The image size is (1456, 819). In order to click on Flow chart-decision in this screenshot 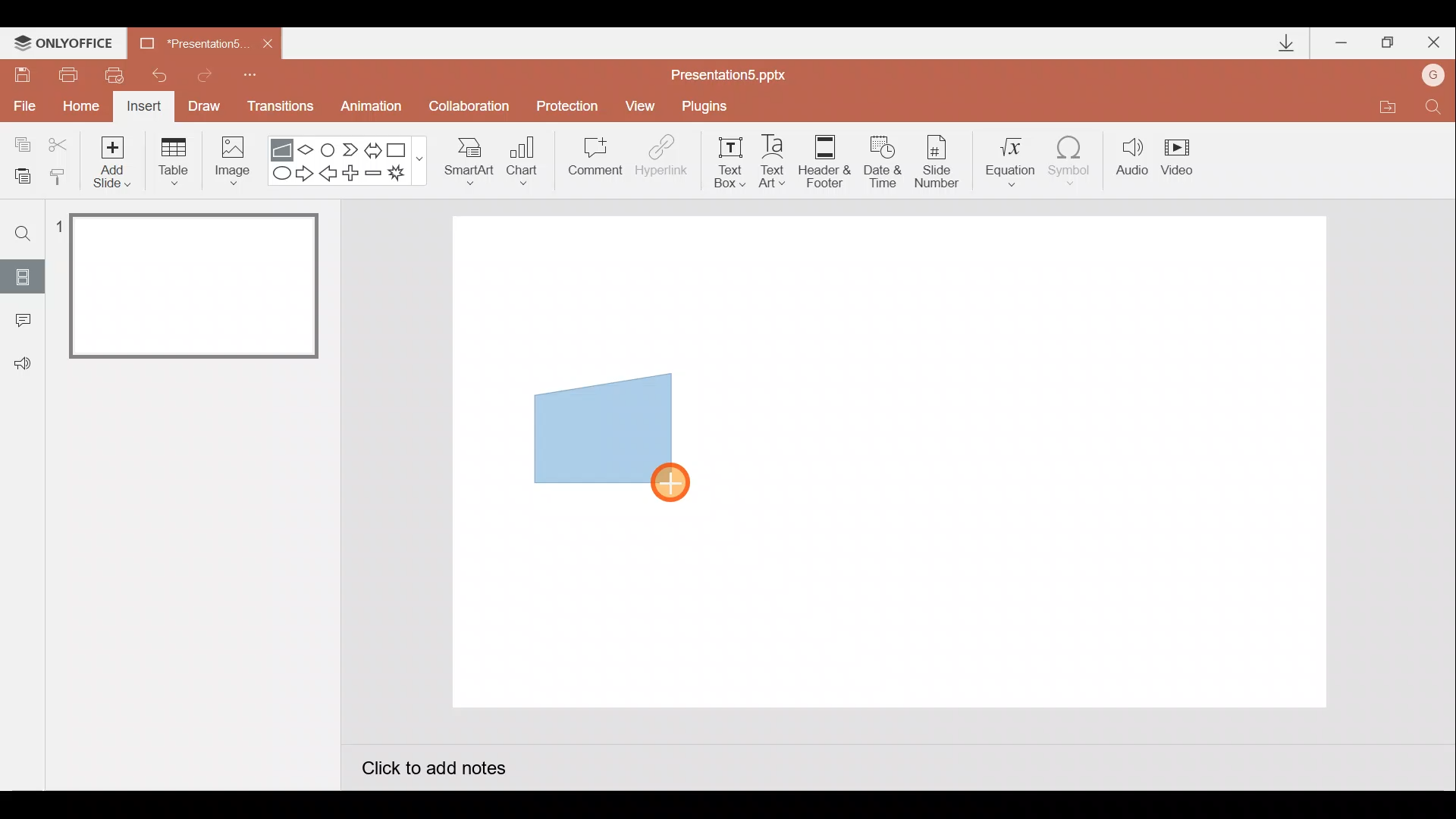, I will do `click(308, 149)`.